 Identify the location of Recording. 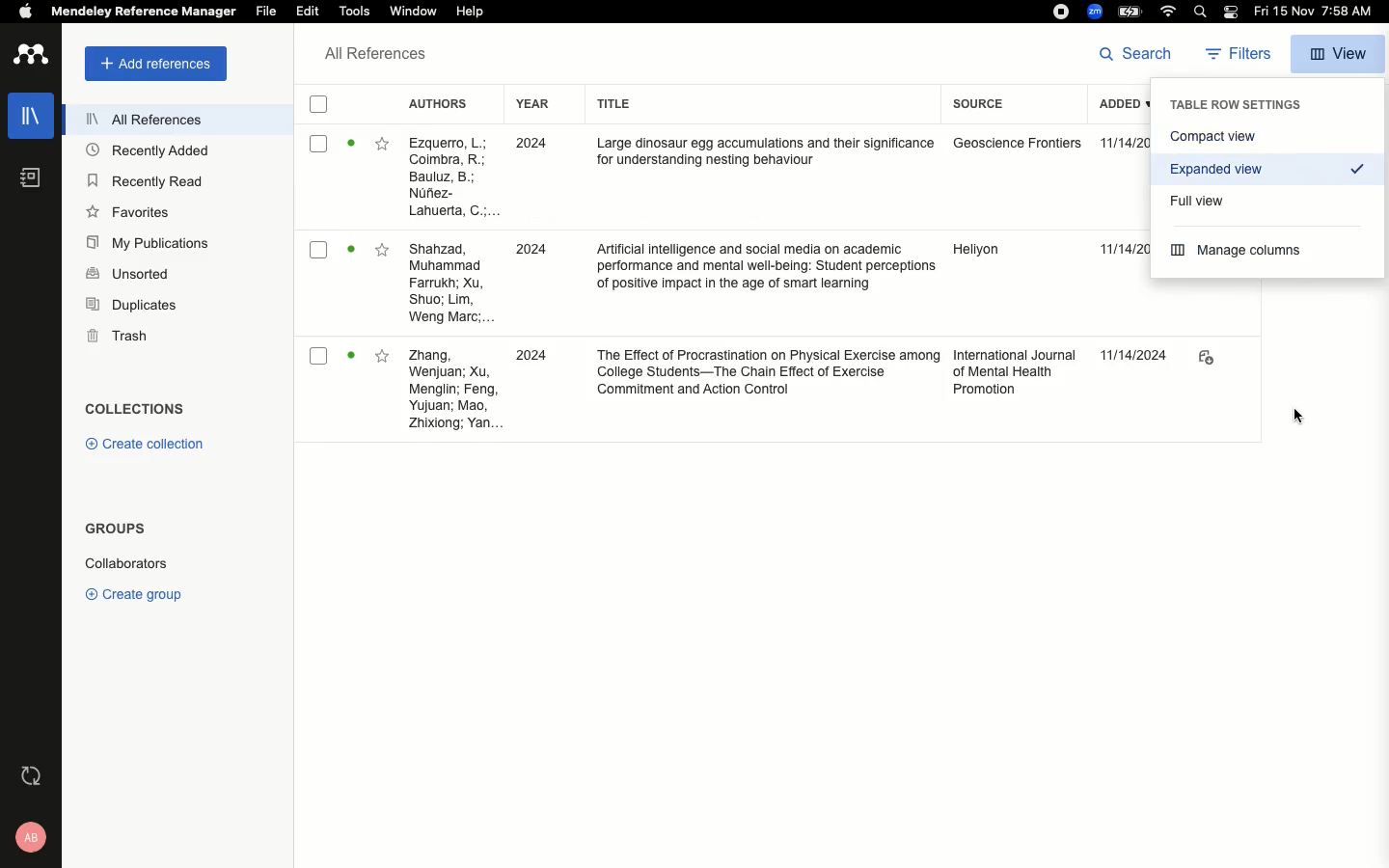
(1060, 12).